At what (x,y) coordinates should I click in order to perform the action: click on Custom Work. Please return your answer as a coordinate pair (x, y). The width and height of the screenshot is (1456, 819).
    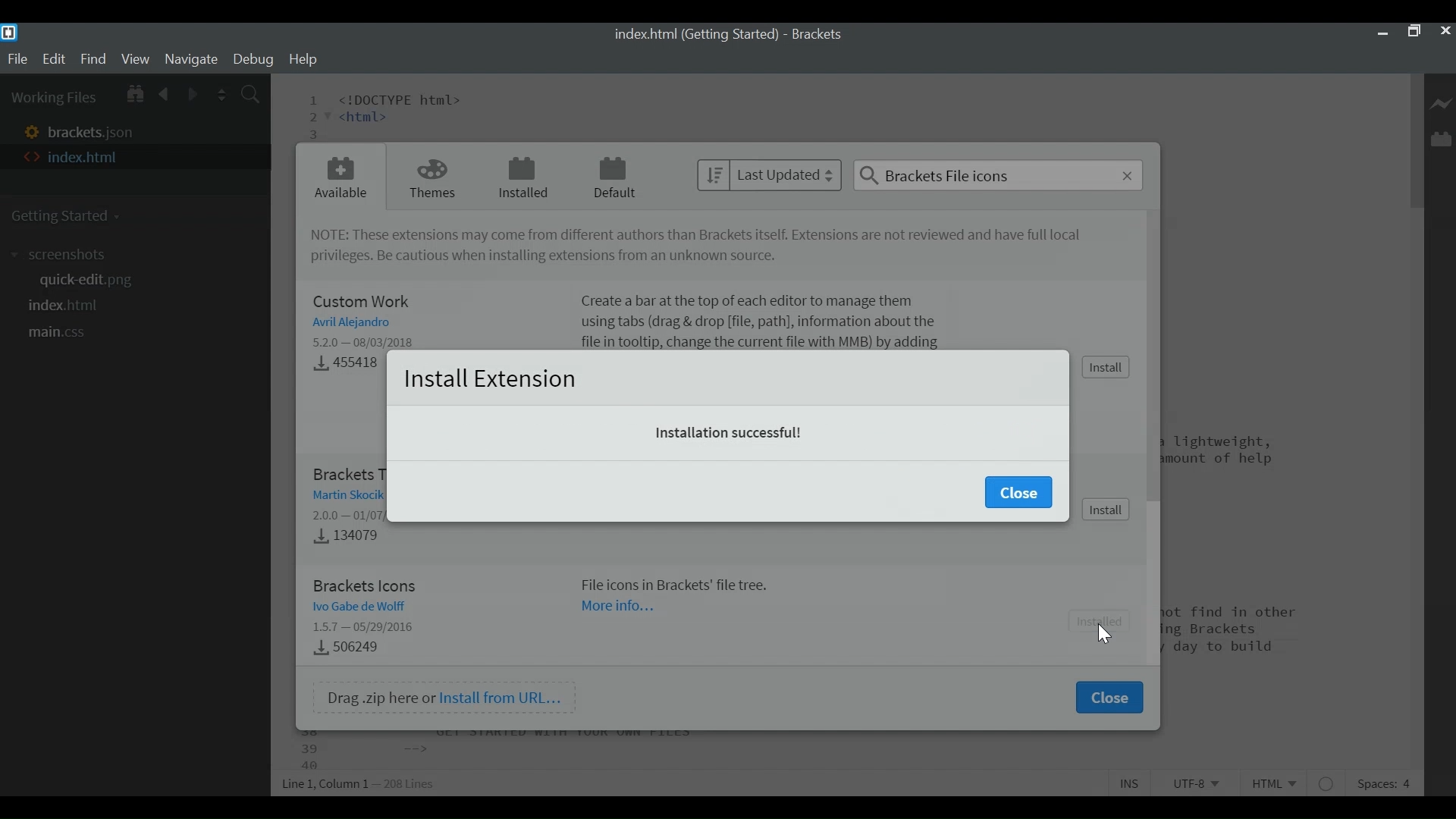
    Looking at the image, I should click on (365, 301).